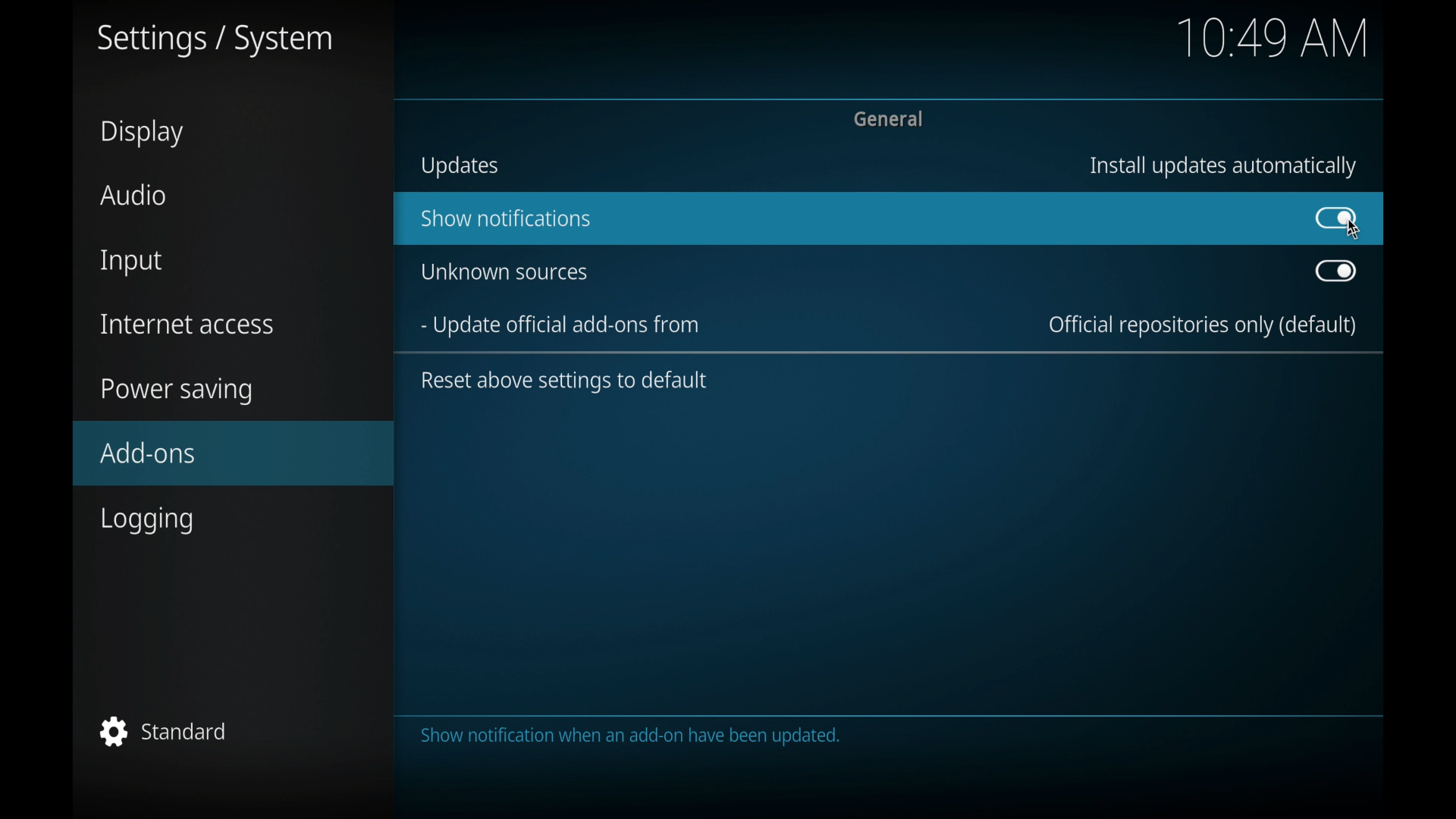  What do you see at coordinates (133, 196) in the screenshot?
I see `audio` at bounding box center [133, 196].